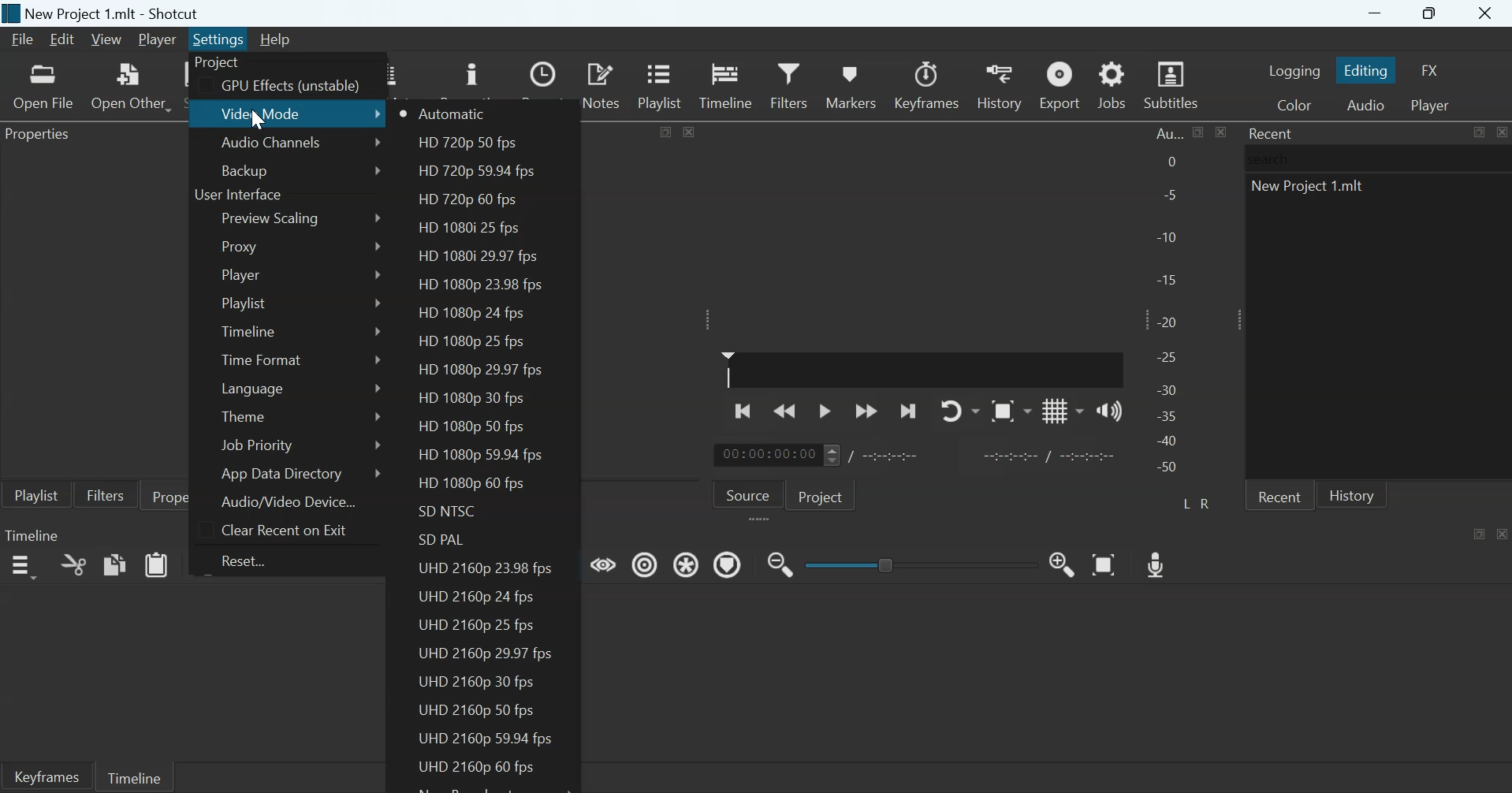 The height and width of the screenshot is (793, 1512). Describe the element at coordinates (1208, 503) in the screenshot. I see `Right` at that location.